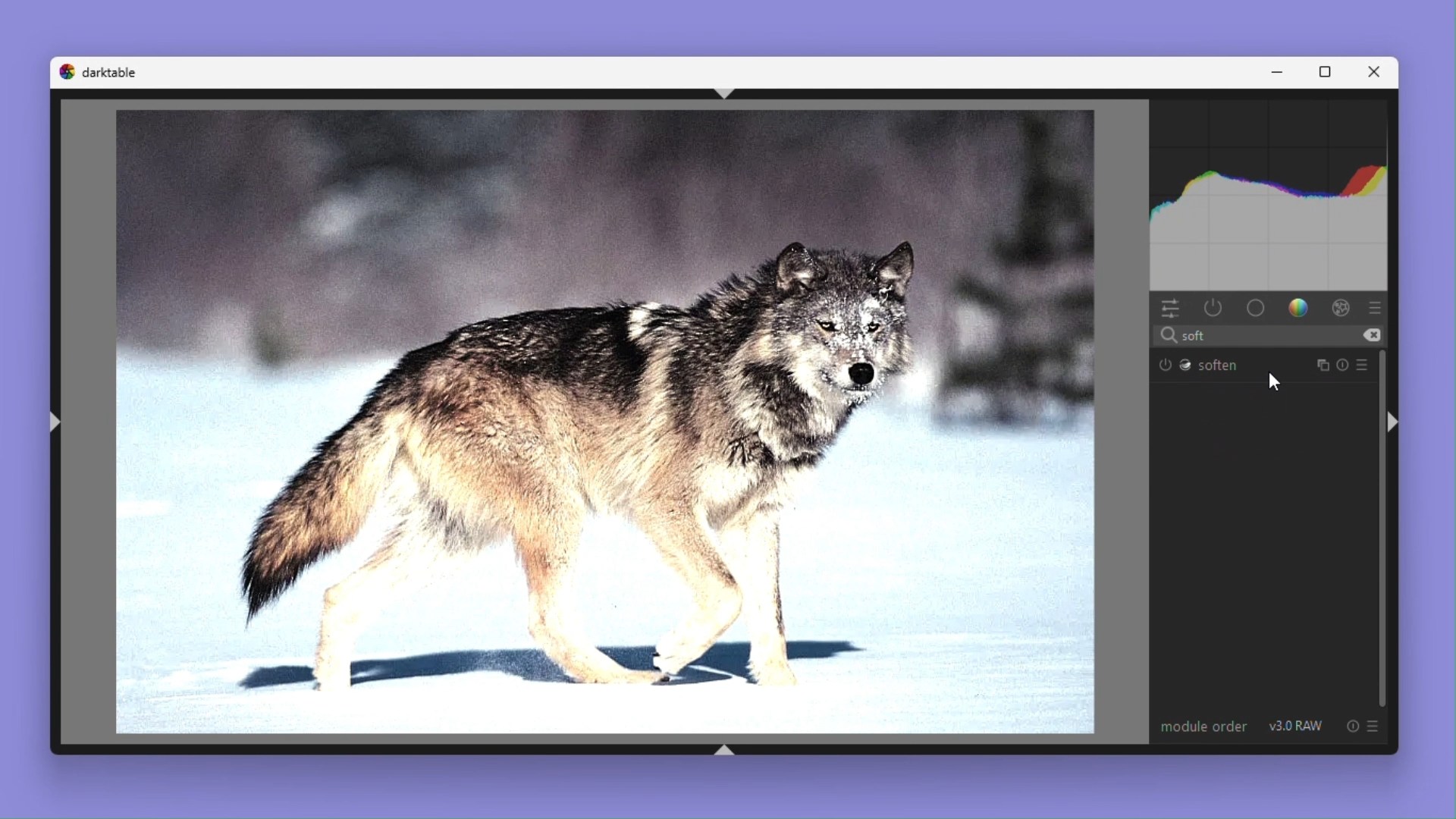 Image resolution: width=1456 pixels, height=819 pixels. I want to click on Dark table logo, so click(110, 71).